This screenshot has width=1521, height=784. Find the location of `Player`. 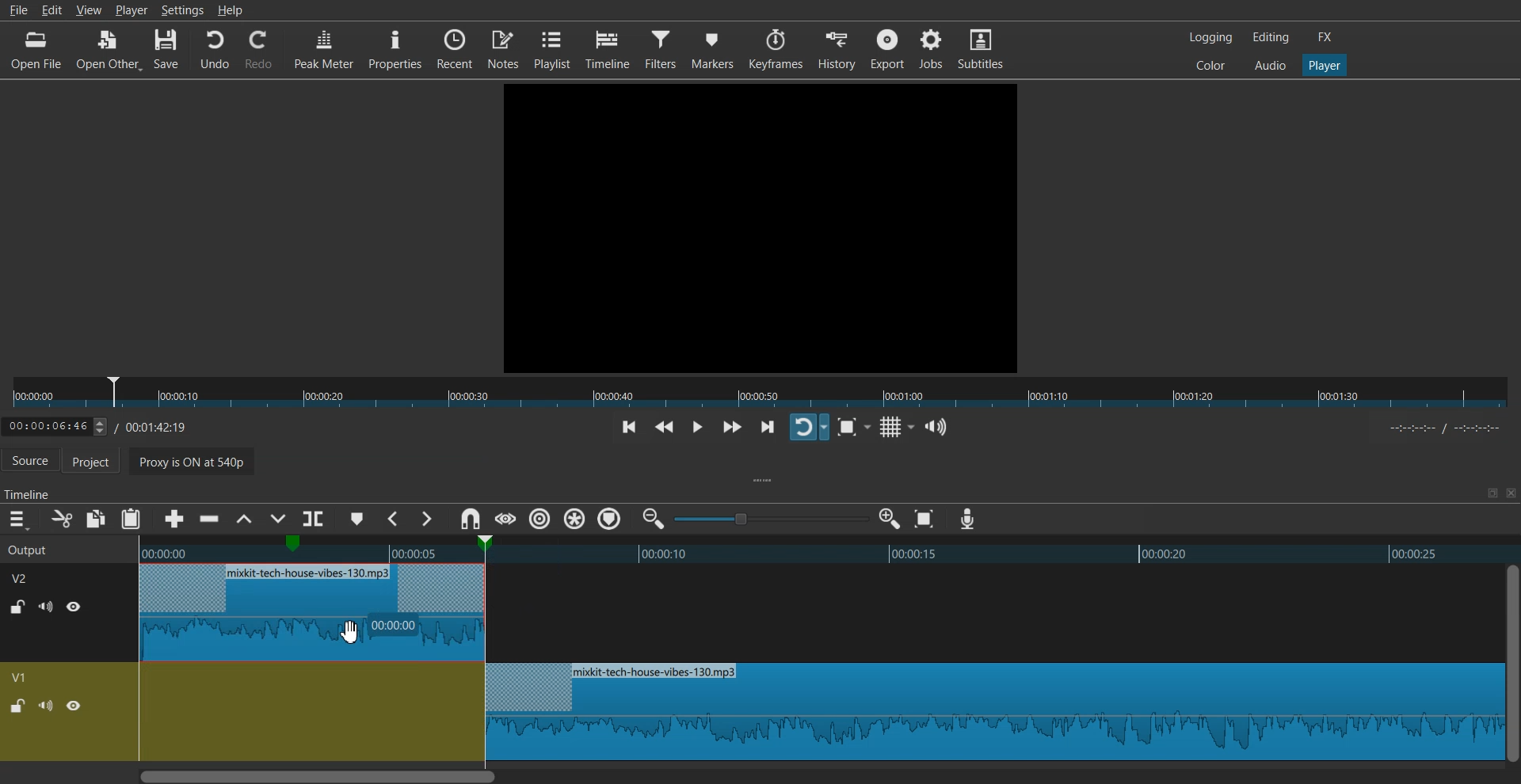

Player is located at coordinates (1325, 66).